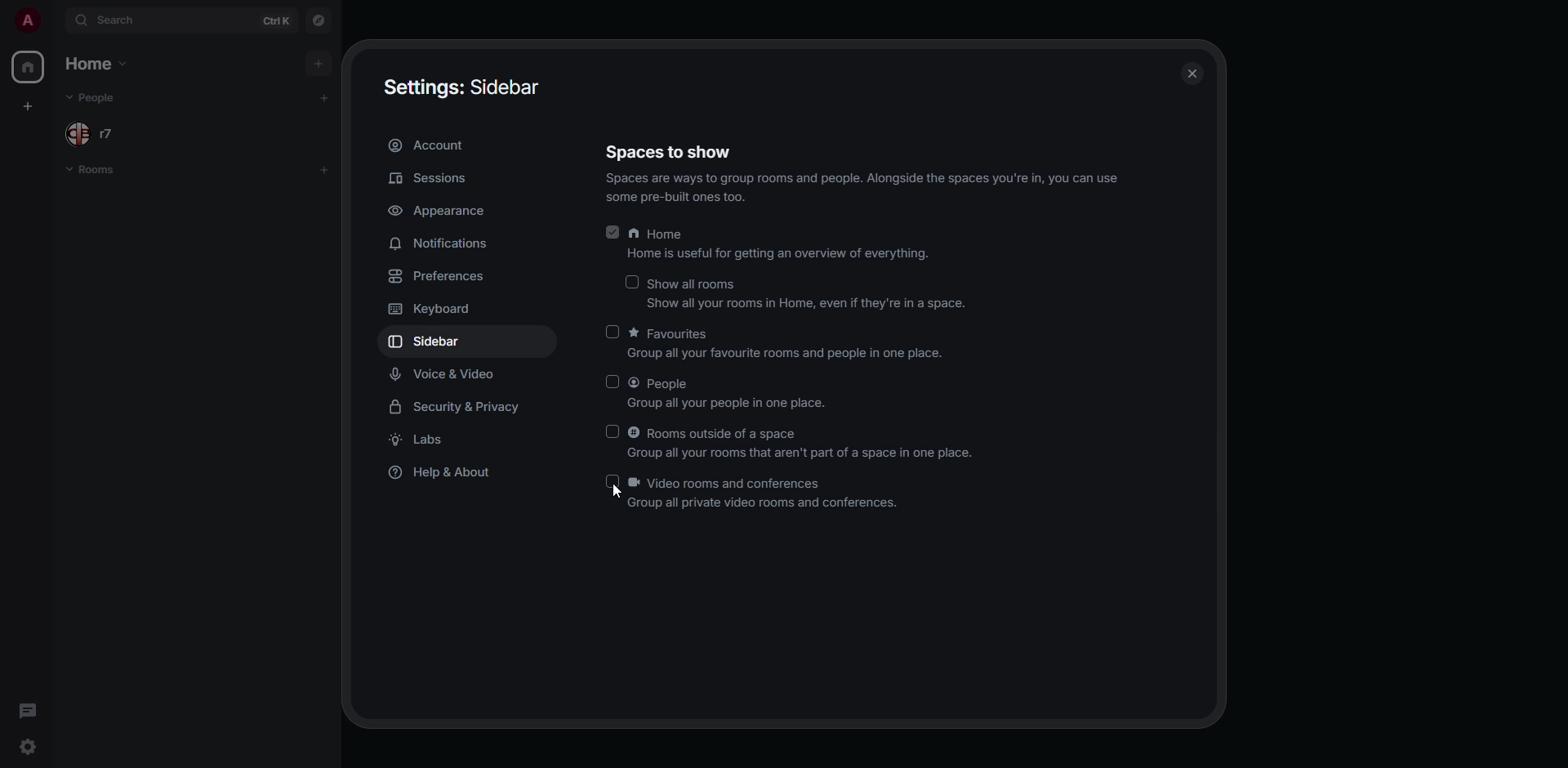  I want to click on rooms, so click(91, 171).